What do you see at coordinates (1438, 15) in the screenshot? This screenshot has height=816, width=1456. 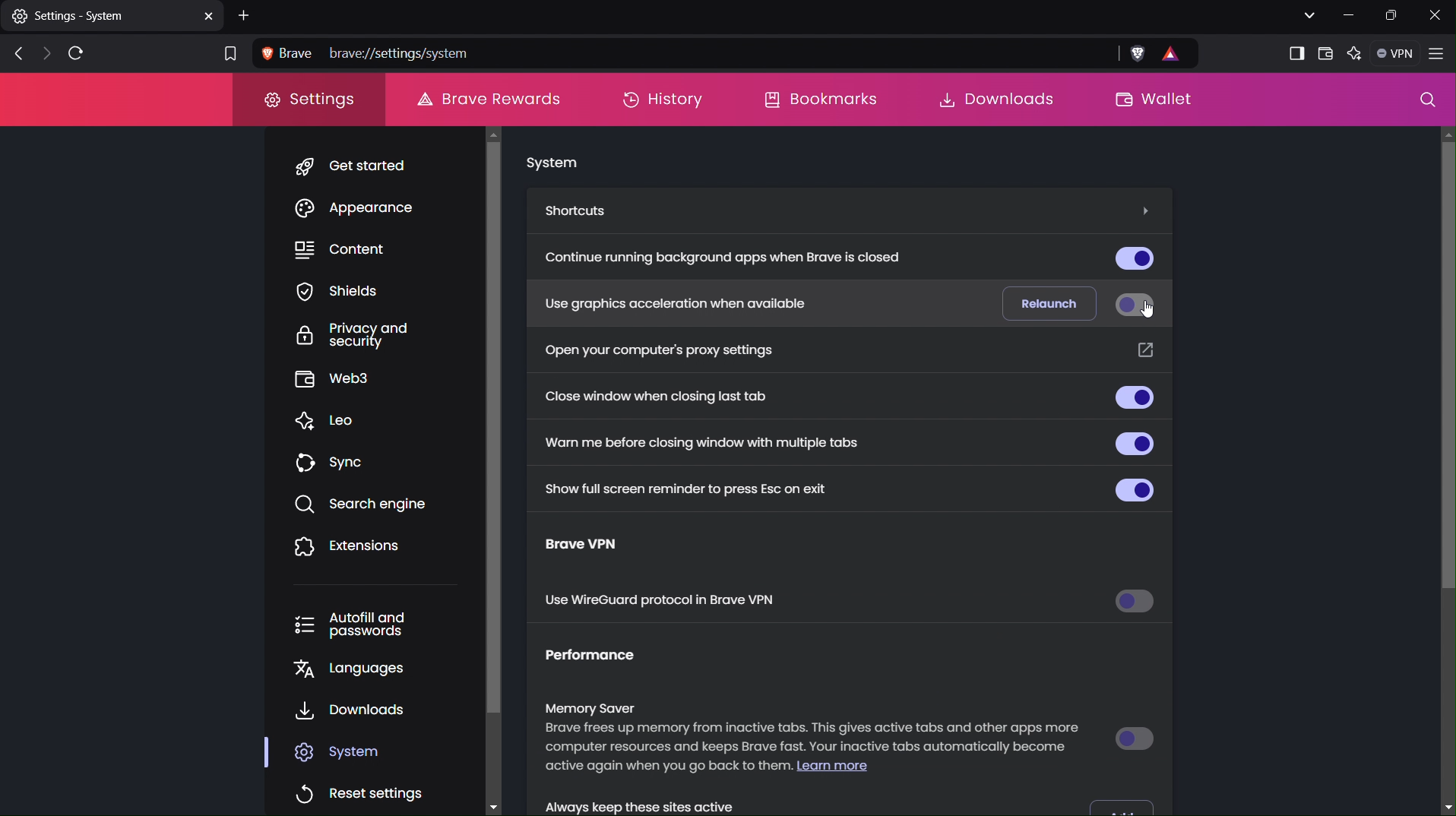 I see `Close` at bounding box center [1438, 15].